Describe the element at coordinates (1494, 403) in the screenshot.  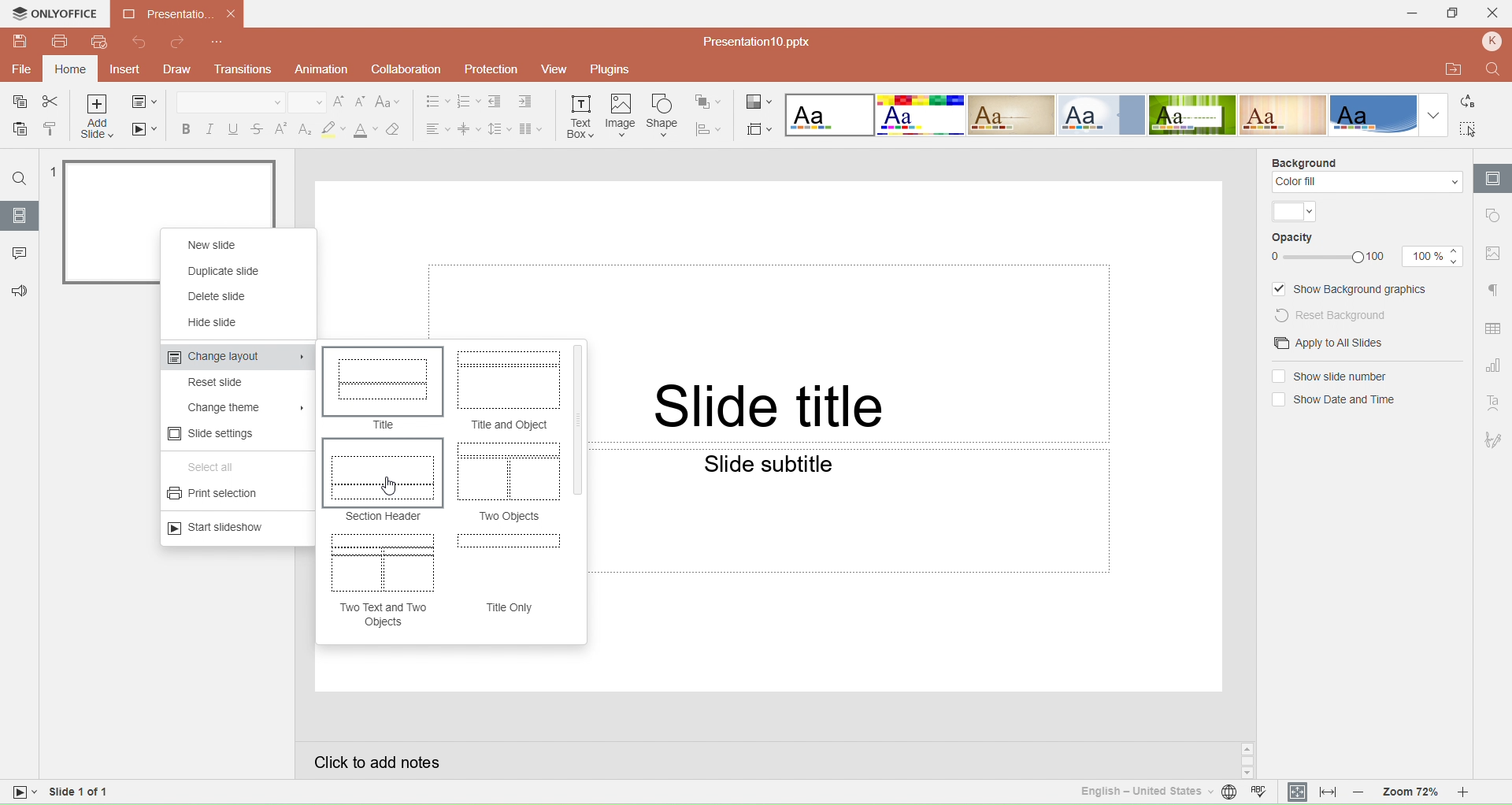
I see `Text art setting` at that location.